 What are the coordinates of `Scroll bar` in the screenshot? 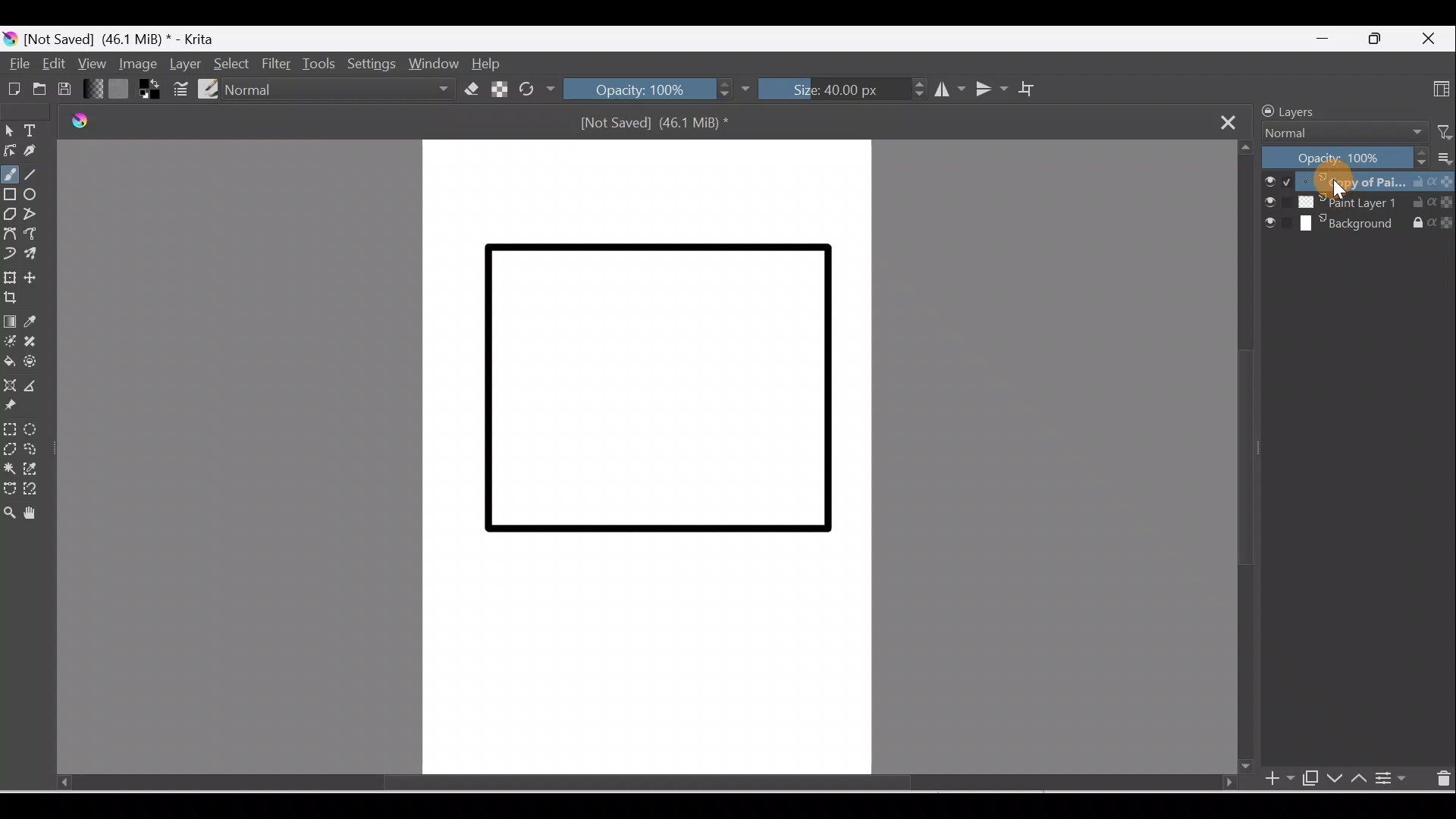 It's located at (621, 783).